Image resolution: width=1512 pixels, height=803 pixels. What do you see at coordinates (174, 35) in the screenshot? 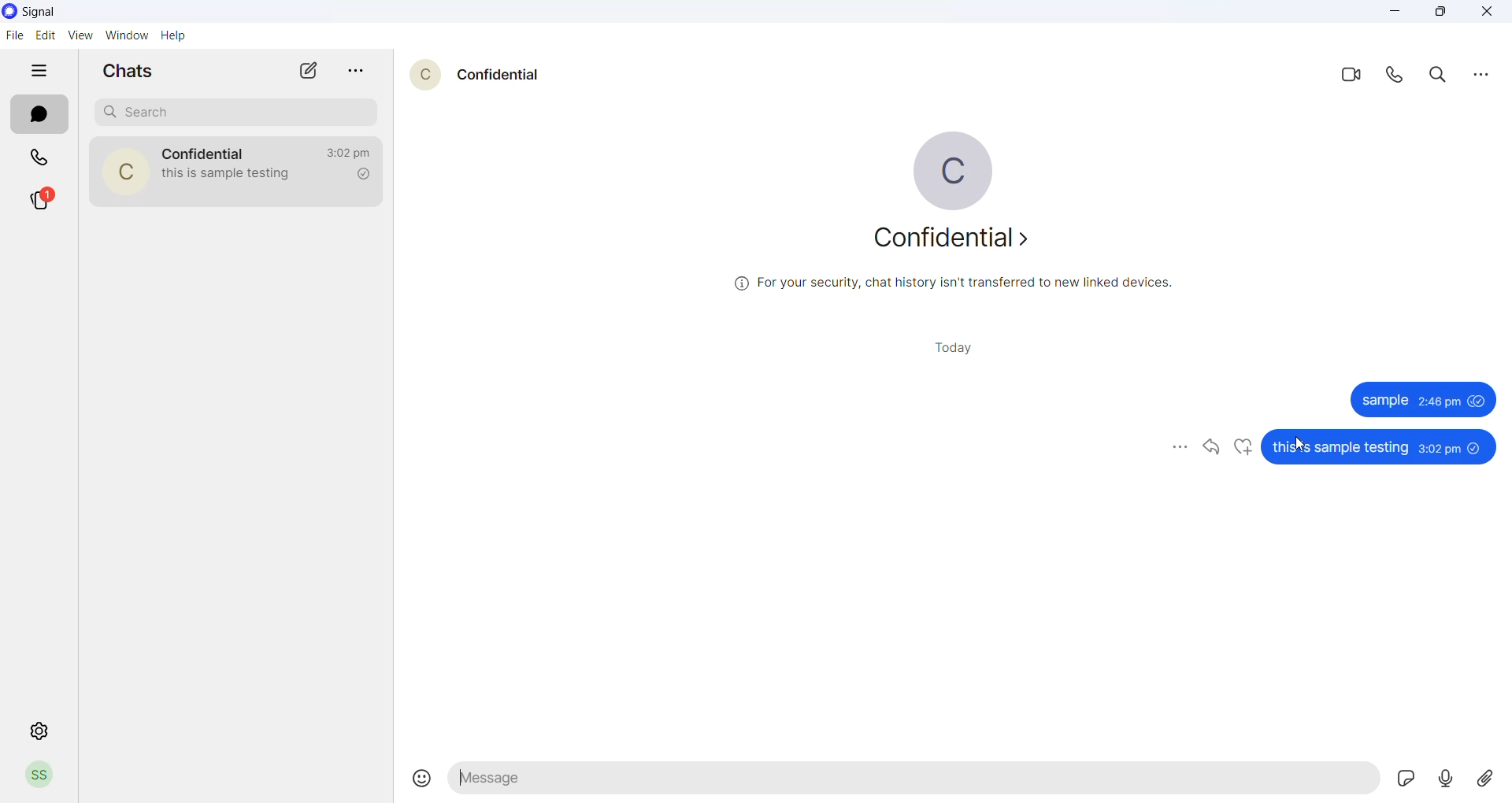
I see `help` at bounding box center [174, 35].